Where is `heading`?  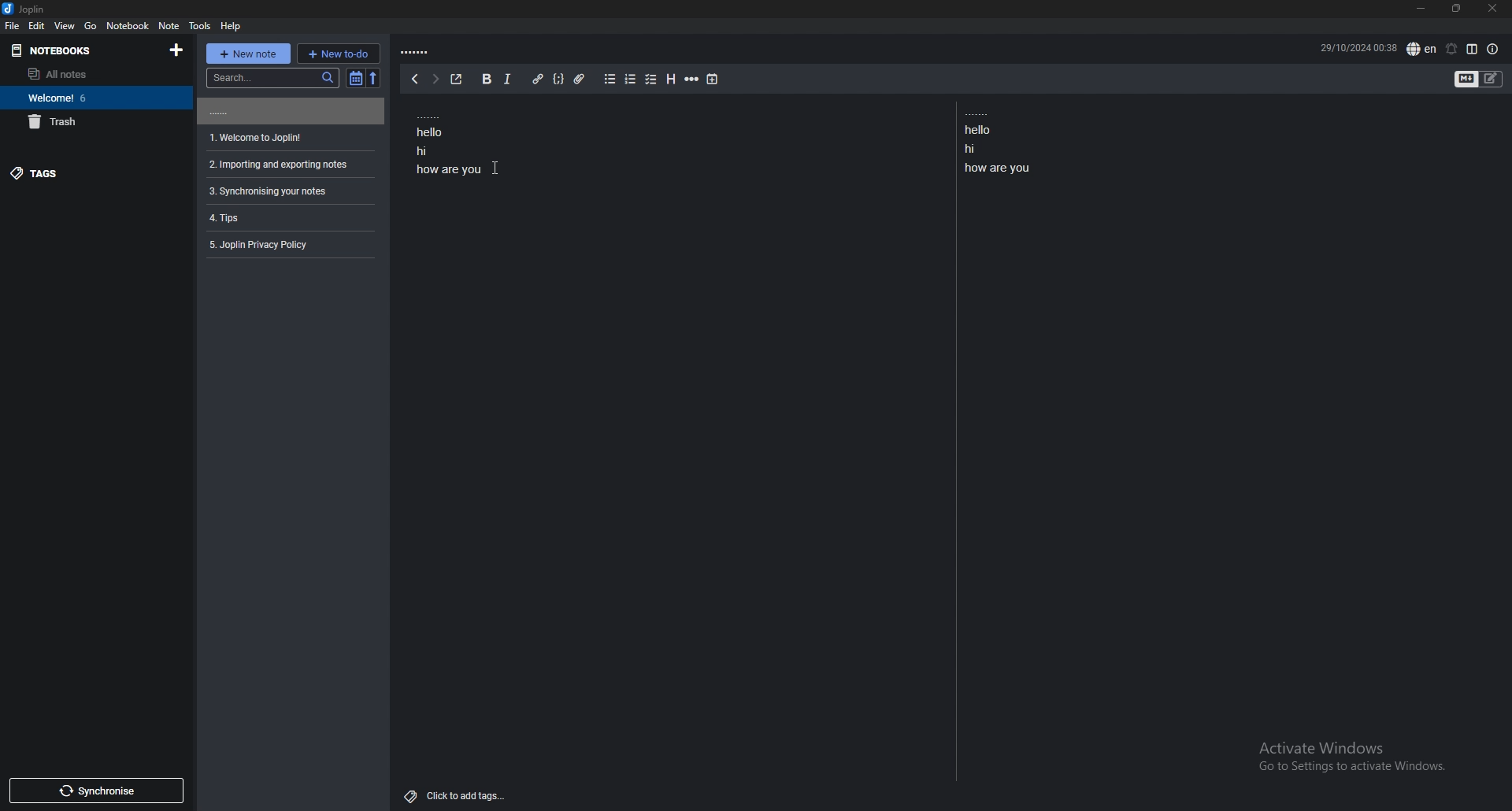 heading is located at coordinates (670, 79).